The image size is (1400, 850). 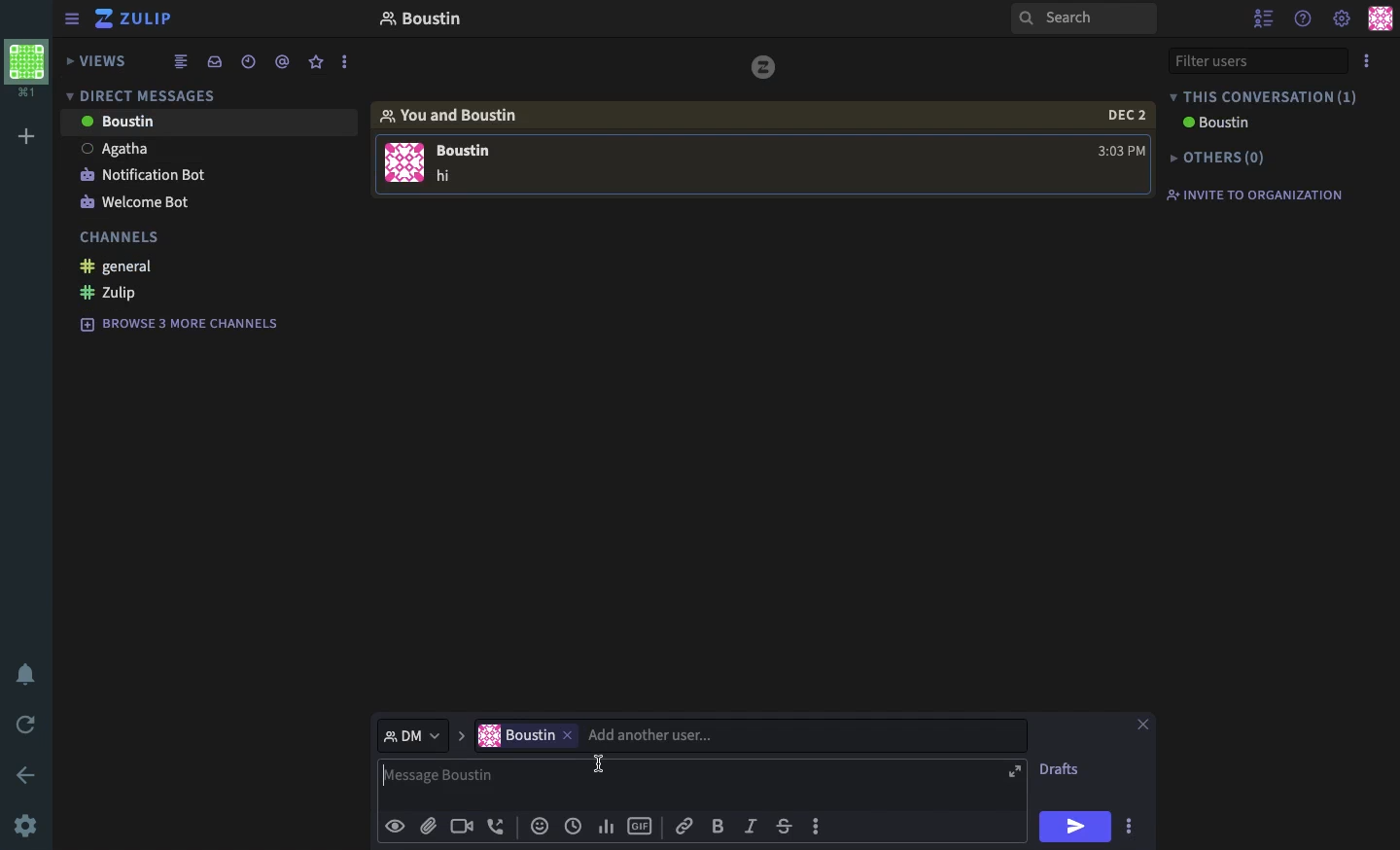 What do you see at coordinates (181, 324) in the screenshot?
I see `browse 3 more channels` at bounding box center [181, 324].